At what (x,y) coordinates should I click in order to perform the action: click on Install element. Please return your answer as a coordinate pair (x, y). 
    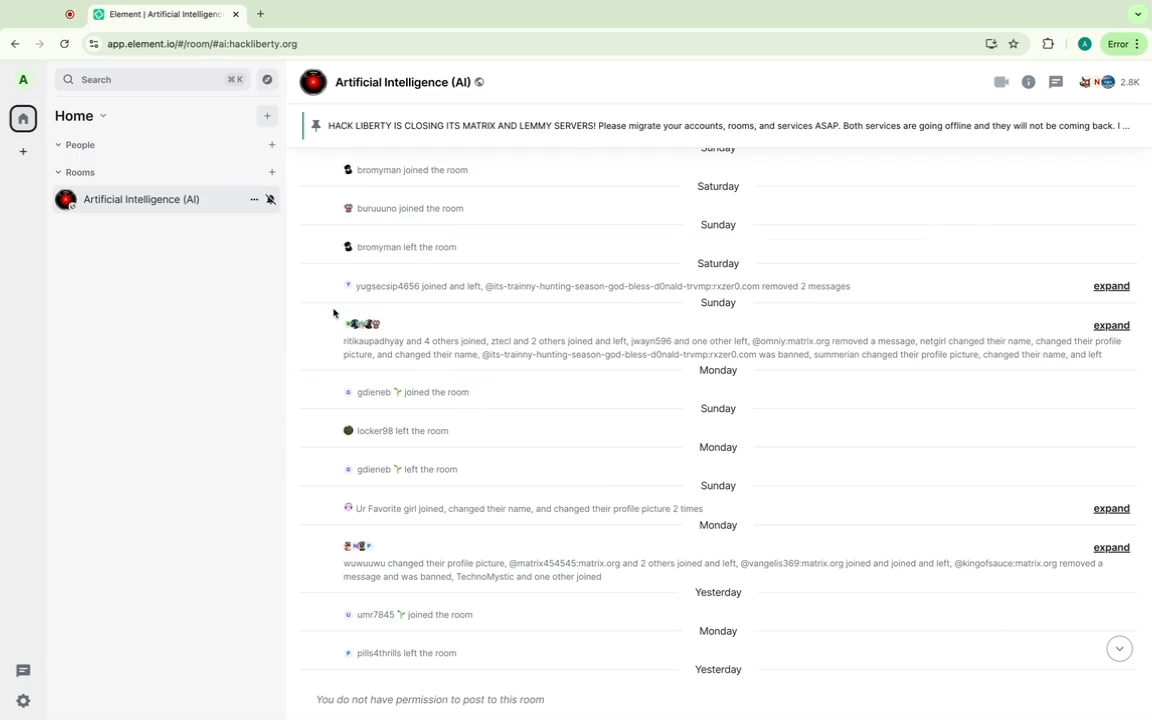
    Looking at the image, I should click on (988, 43).